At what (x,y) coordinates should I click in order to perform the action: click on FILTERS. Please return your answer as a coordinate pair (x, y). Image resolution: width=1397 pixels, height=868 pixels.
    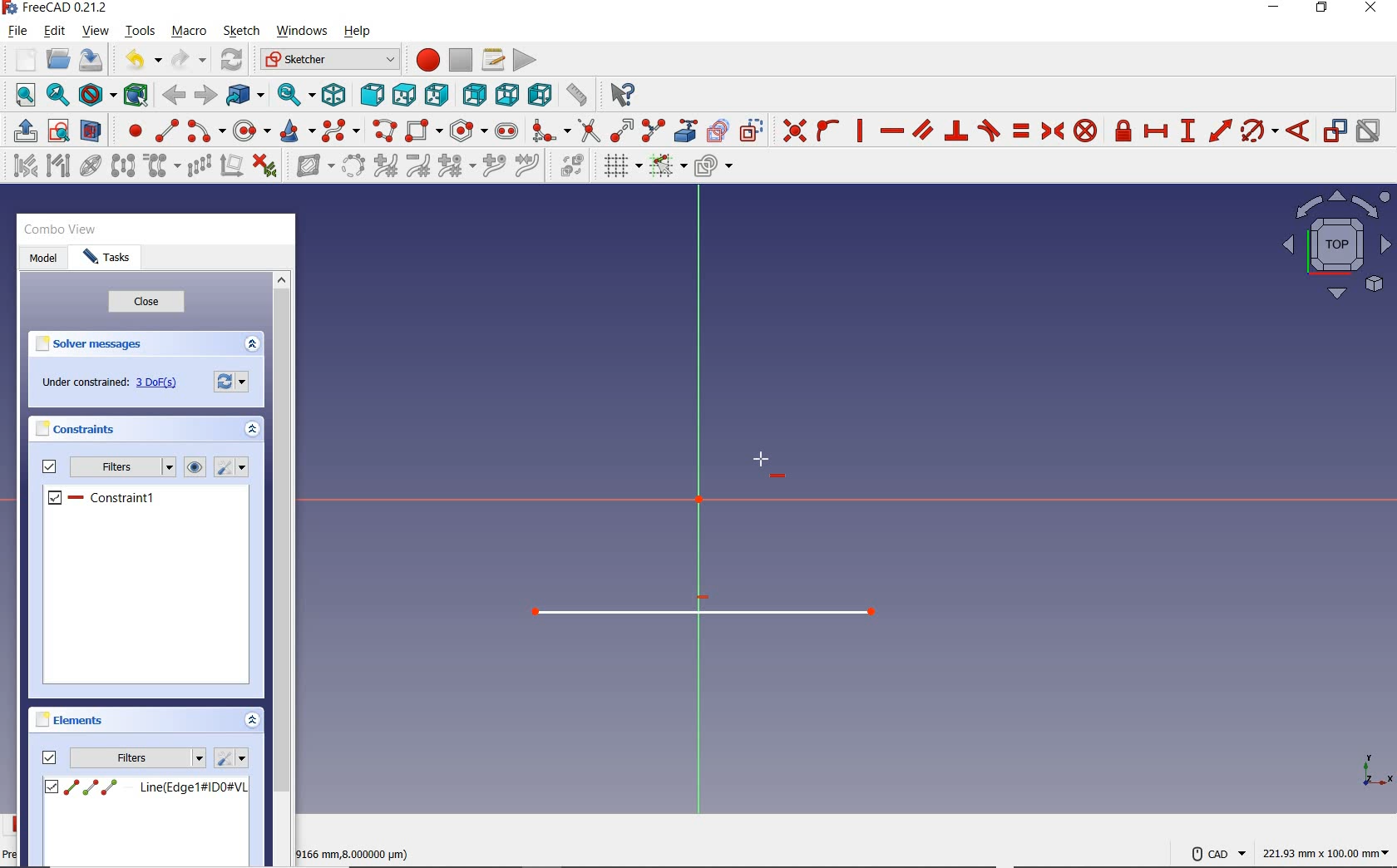
    Looking at the image, I should click on (138, 757).